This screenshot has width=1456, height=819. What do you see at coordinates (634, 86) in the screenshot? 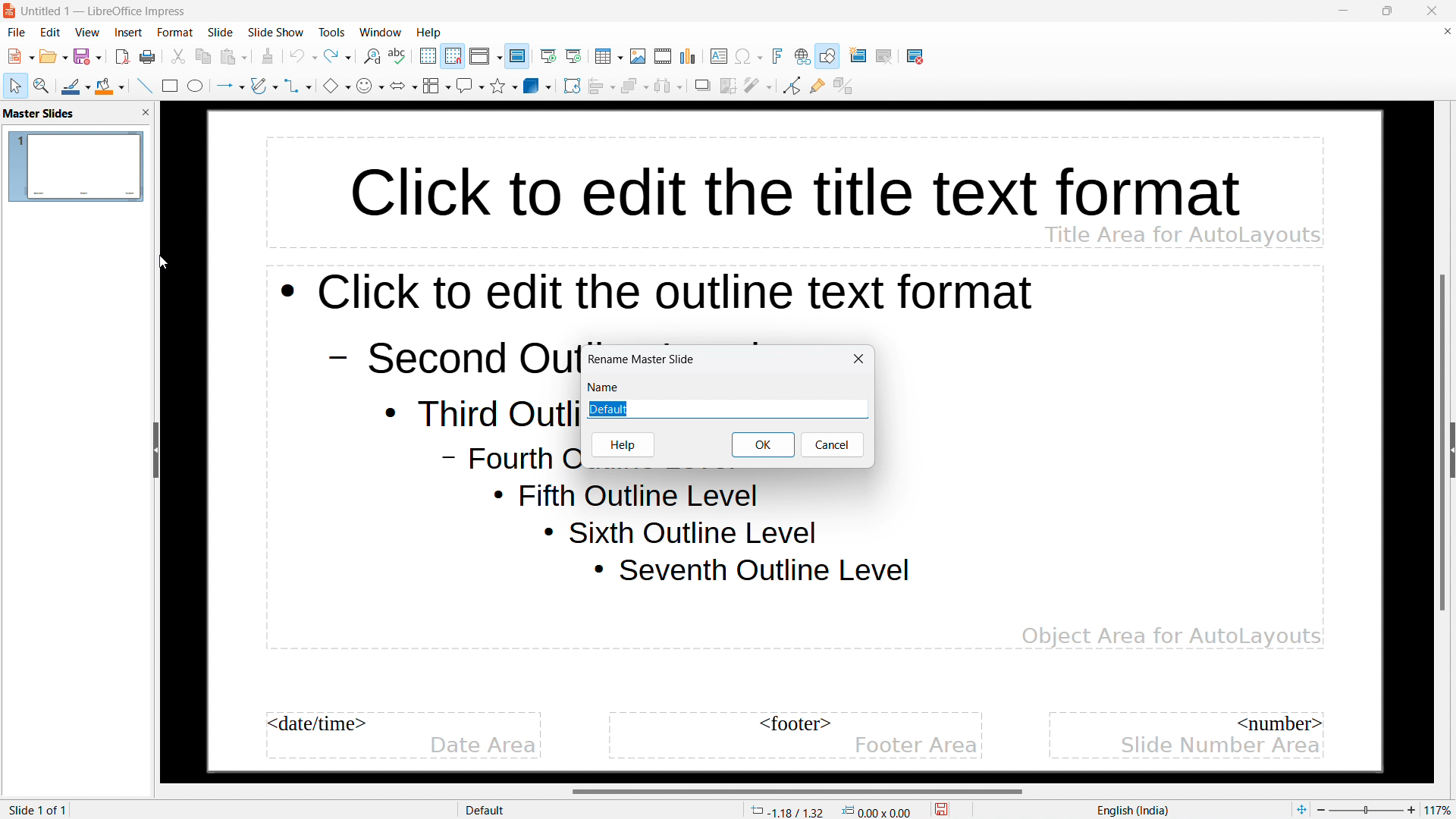
I see `arrange` at bounding box center [634, 86].